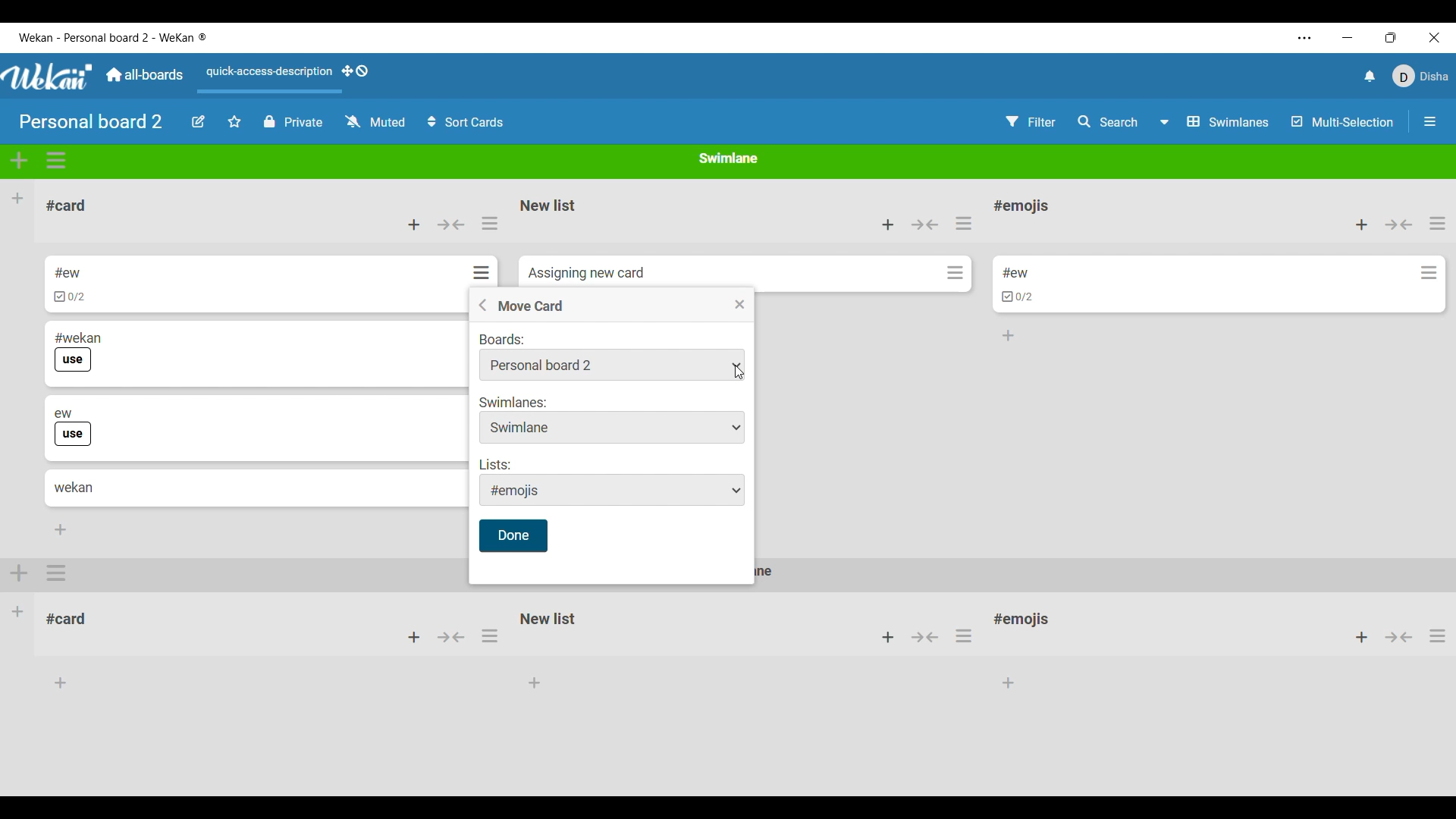 This screenshot has height=819, width=1456. Describe the element at coordinates (375, 121) in the screenshot. I see `Change watch options` at that location.